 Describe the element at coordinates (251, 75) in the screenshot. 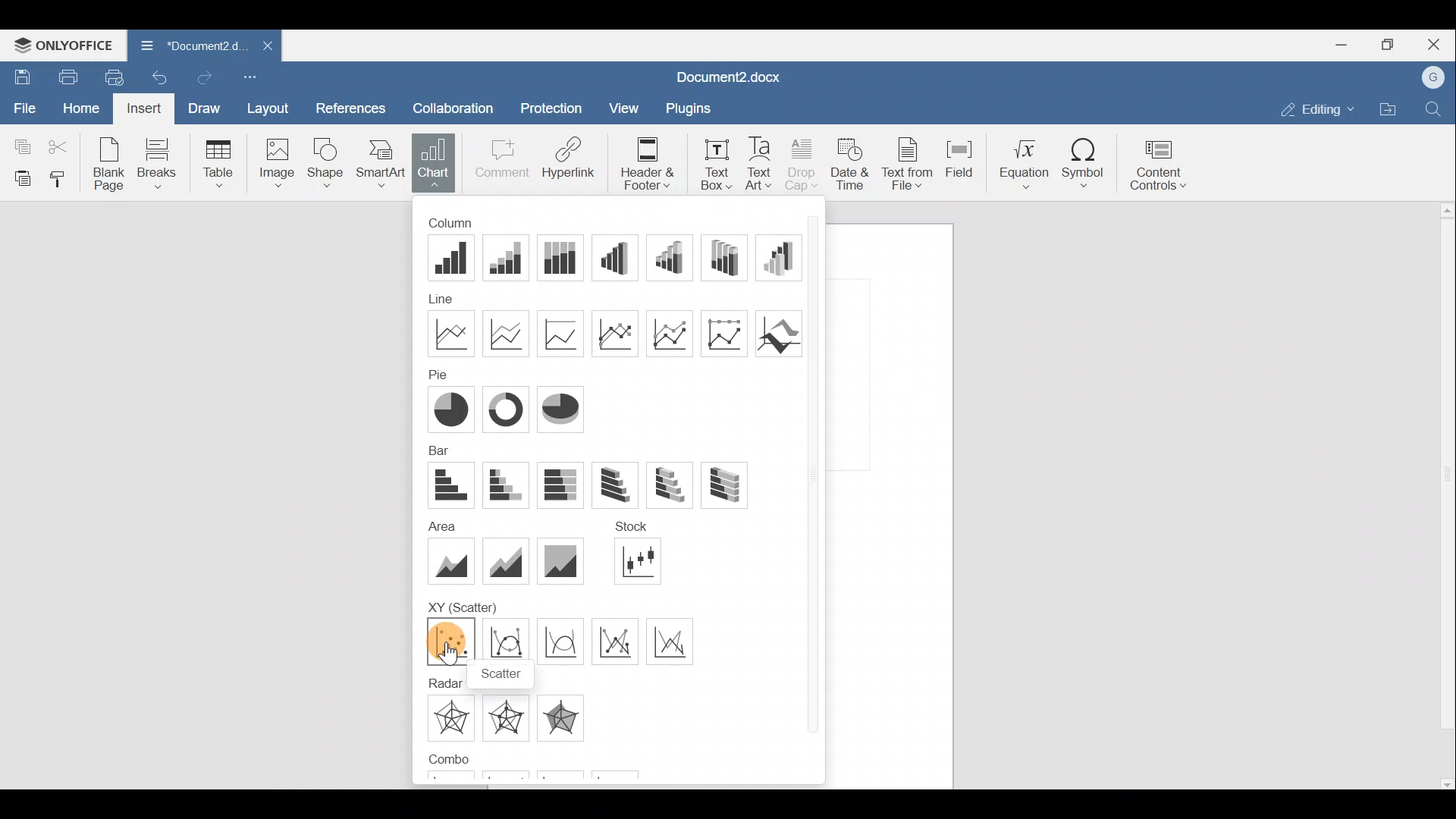

I see `Customize quick access toolbar` at that location.